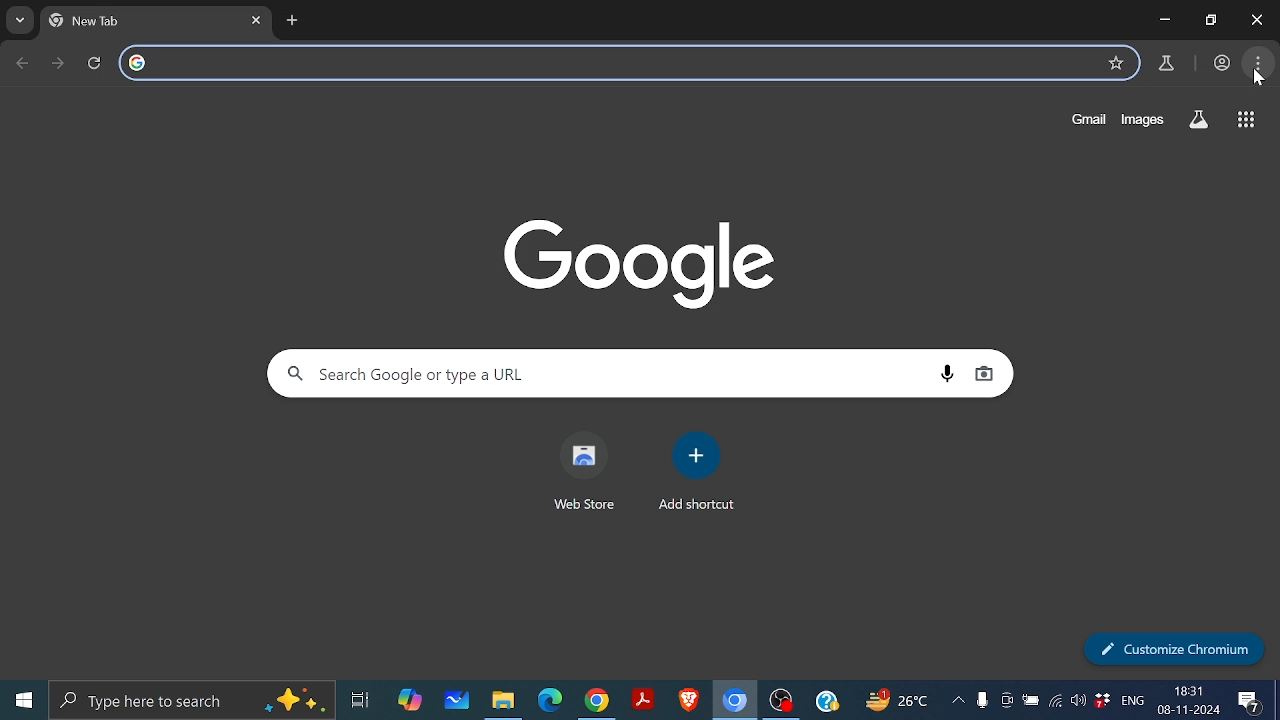 The width and height of the screenshot is (1280, 720). I want to click on Audio search, so click(947, 374).